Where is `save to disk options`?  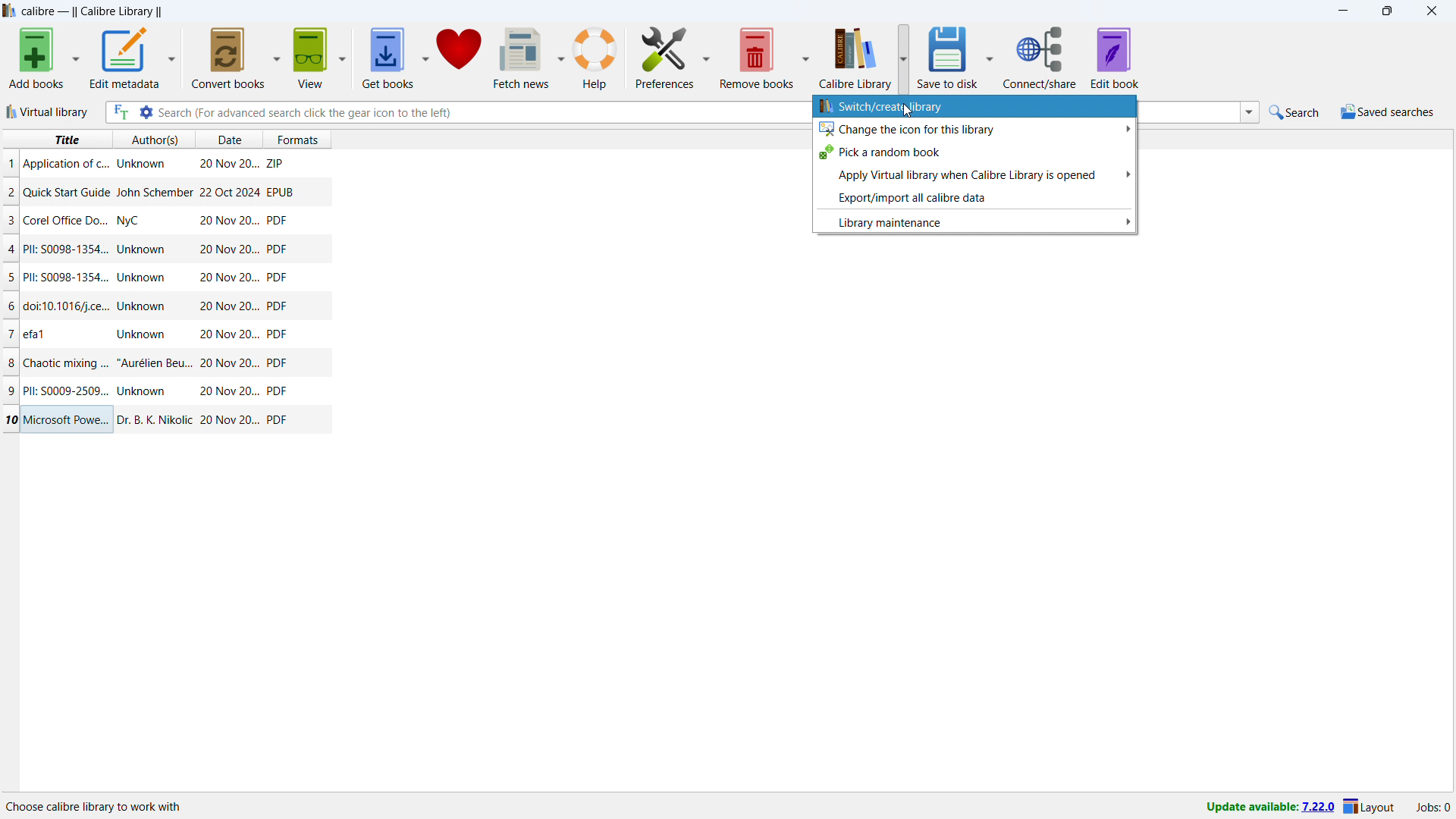
save to disk options is located at coordinates (991, 55).